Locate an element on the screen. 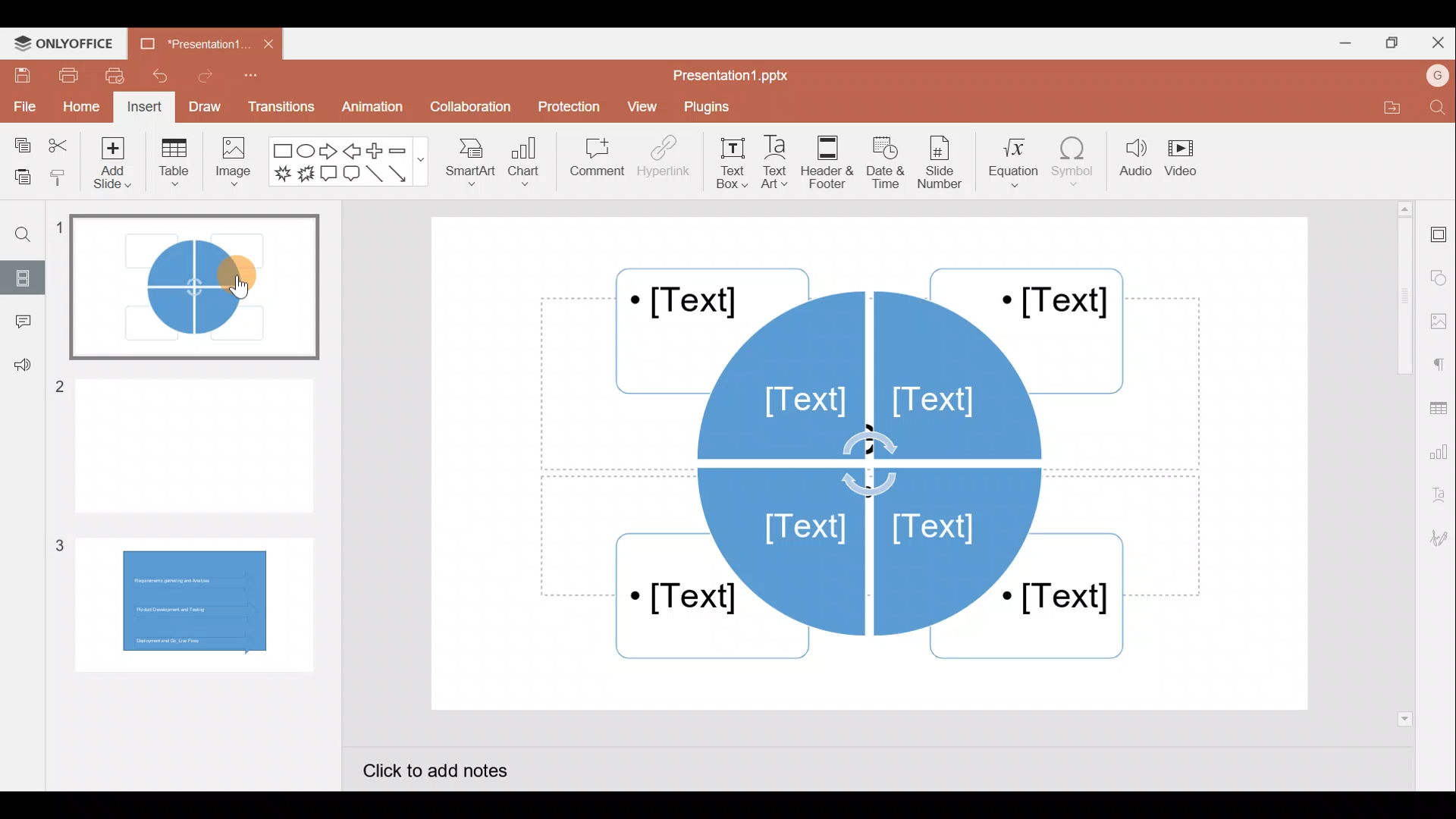 The image size is (1456, 819). Table settings is located at coordinates (1439, 408).